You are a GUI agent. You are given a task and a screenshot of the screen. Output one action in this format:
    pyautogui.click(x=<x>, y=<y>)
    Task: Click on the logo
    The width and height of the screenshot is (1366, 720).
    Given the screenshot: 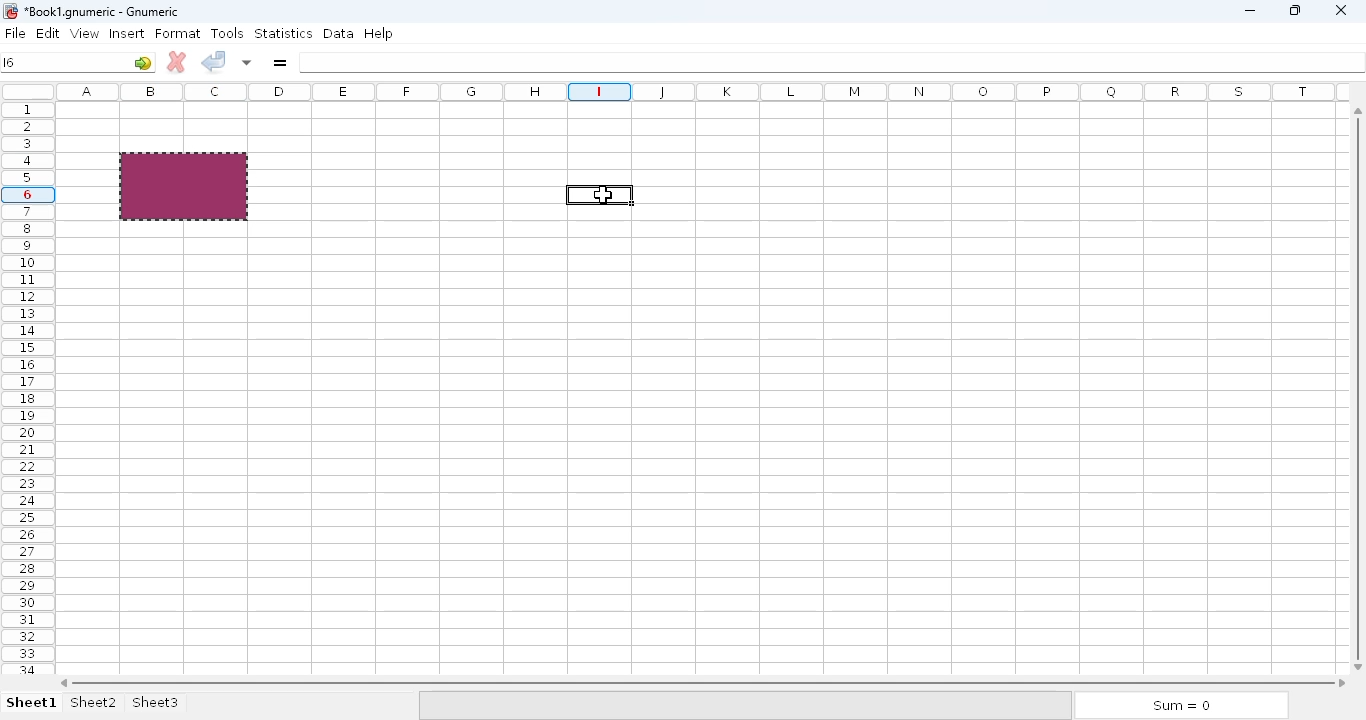 What is the action you would take?
    pyautogui.click(x=10, y=12)
    